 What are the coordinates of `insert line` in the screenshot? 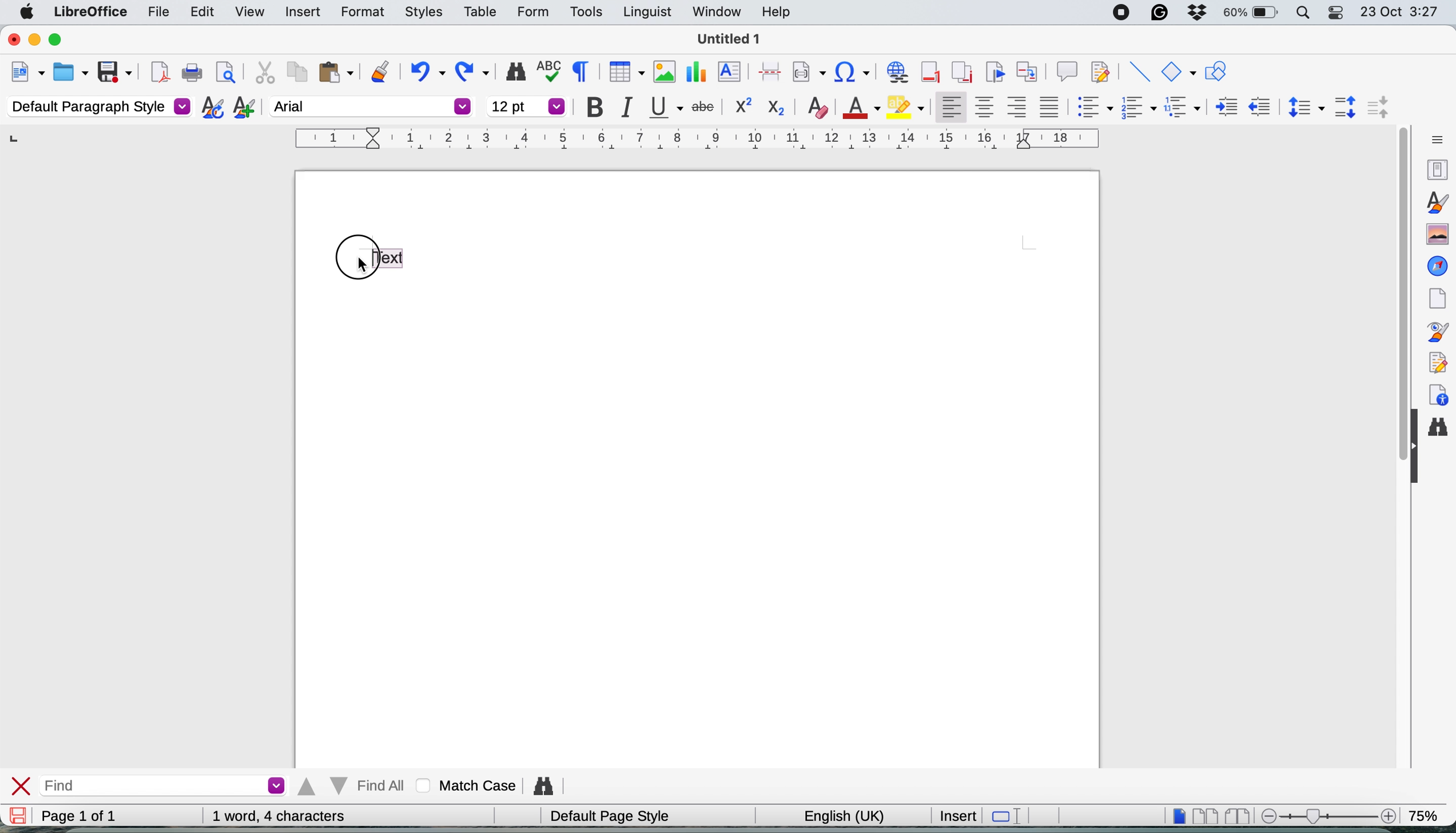 It's located at (1139, 72).